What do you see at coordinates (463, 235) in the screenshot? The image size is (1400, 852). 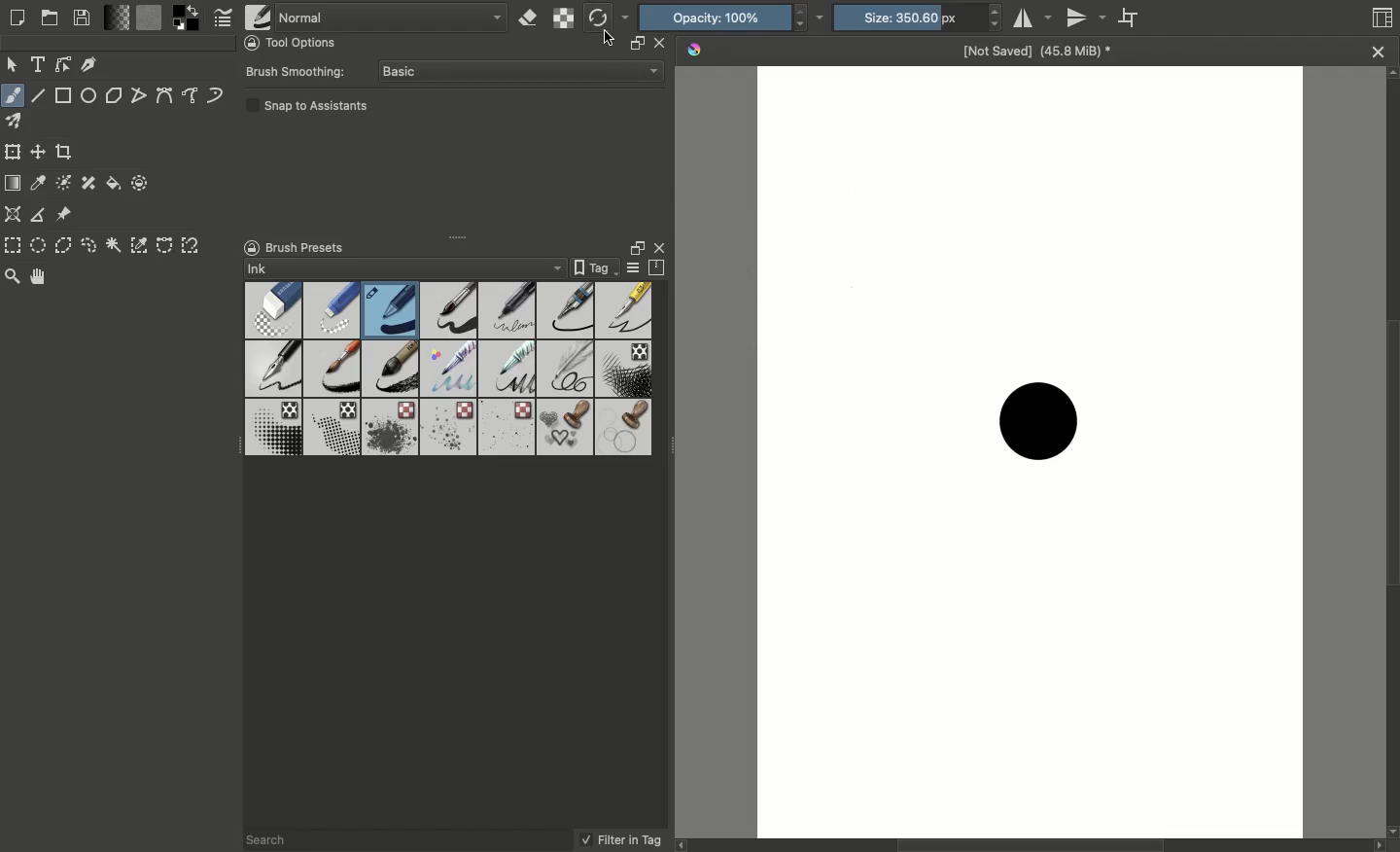 I see `Drag` at bounding box center [463, 235].